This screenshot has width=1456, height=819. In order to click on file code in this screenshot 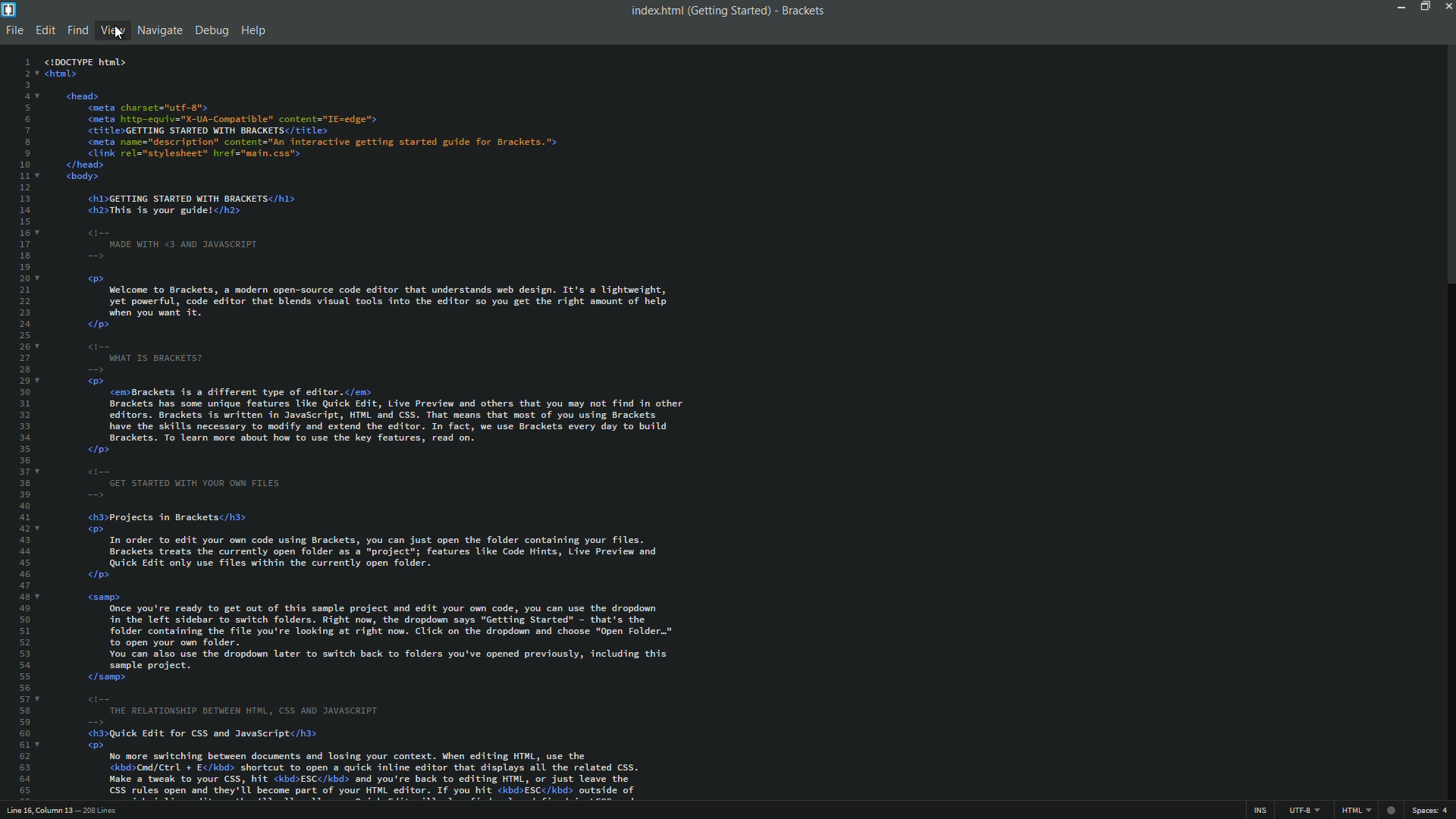, I will do `click(403, 427)`.